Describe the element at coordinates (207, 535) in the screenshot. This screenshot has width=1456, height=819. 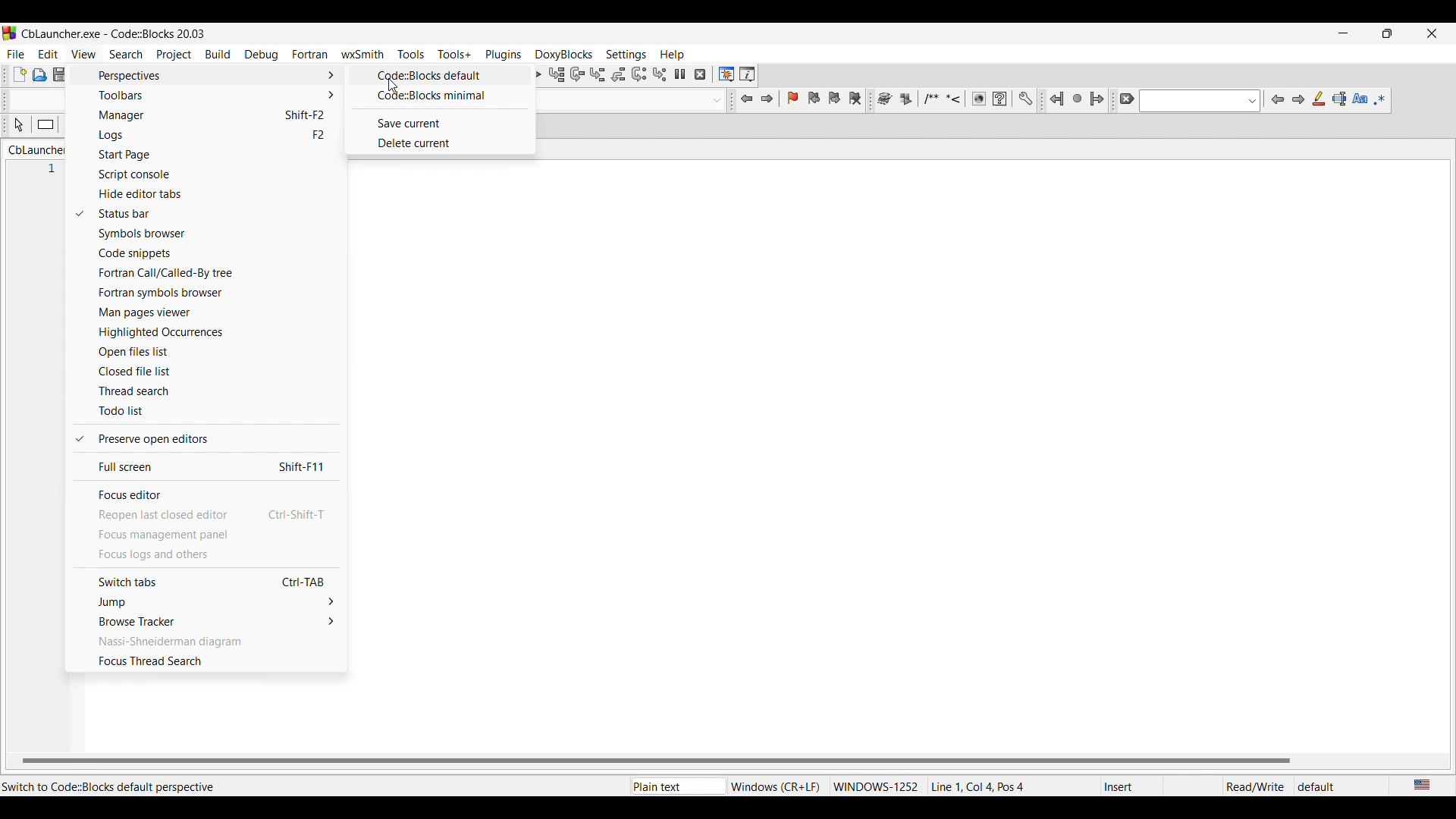
I see `Focus management panel` at that location.